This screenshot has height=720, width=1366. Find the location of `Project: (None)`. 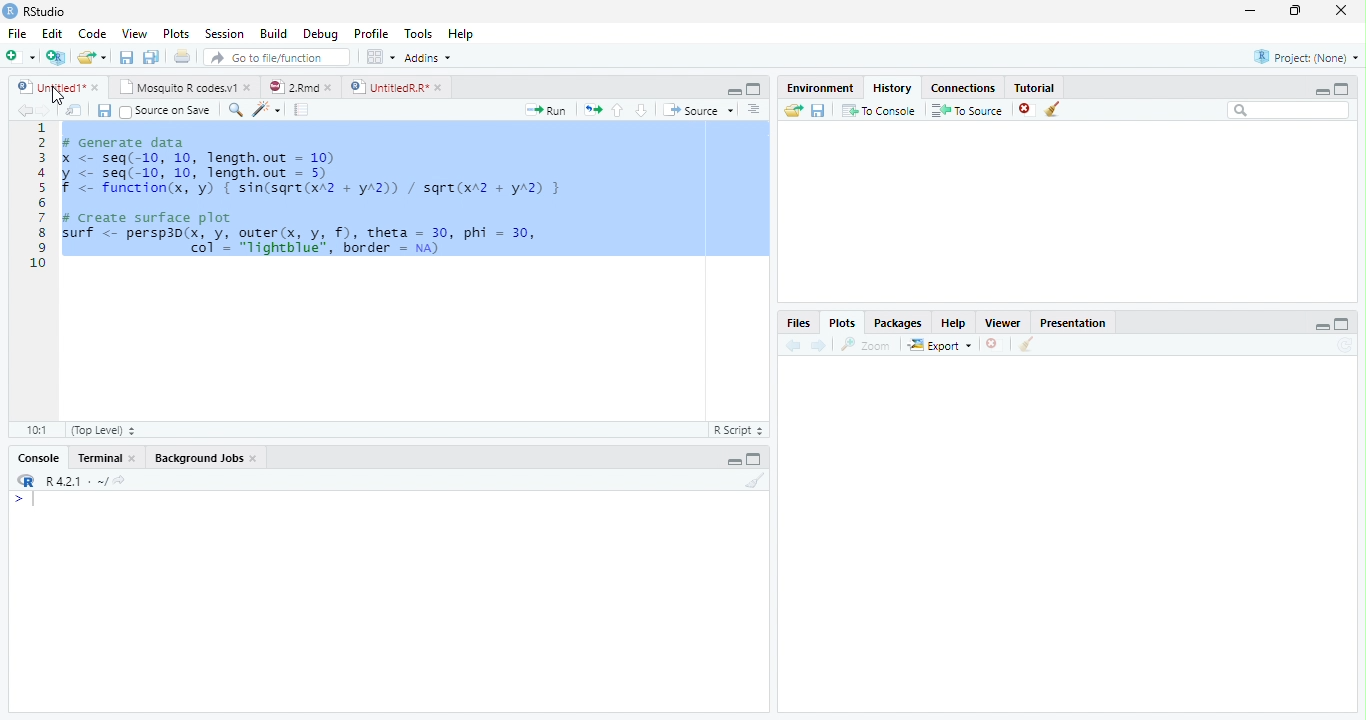

Project: (None) is located at coordinates (1306, 57).